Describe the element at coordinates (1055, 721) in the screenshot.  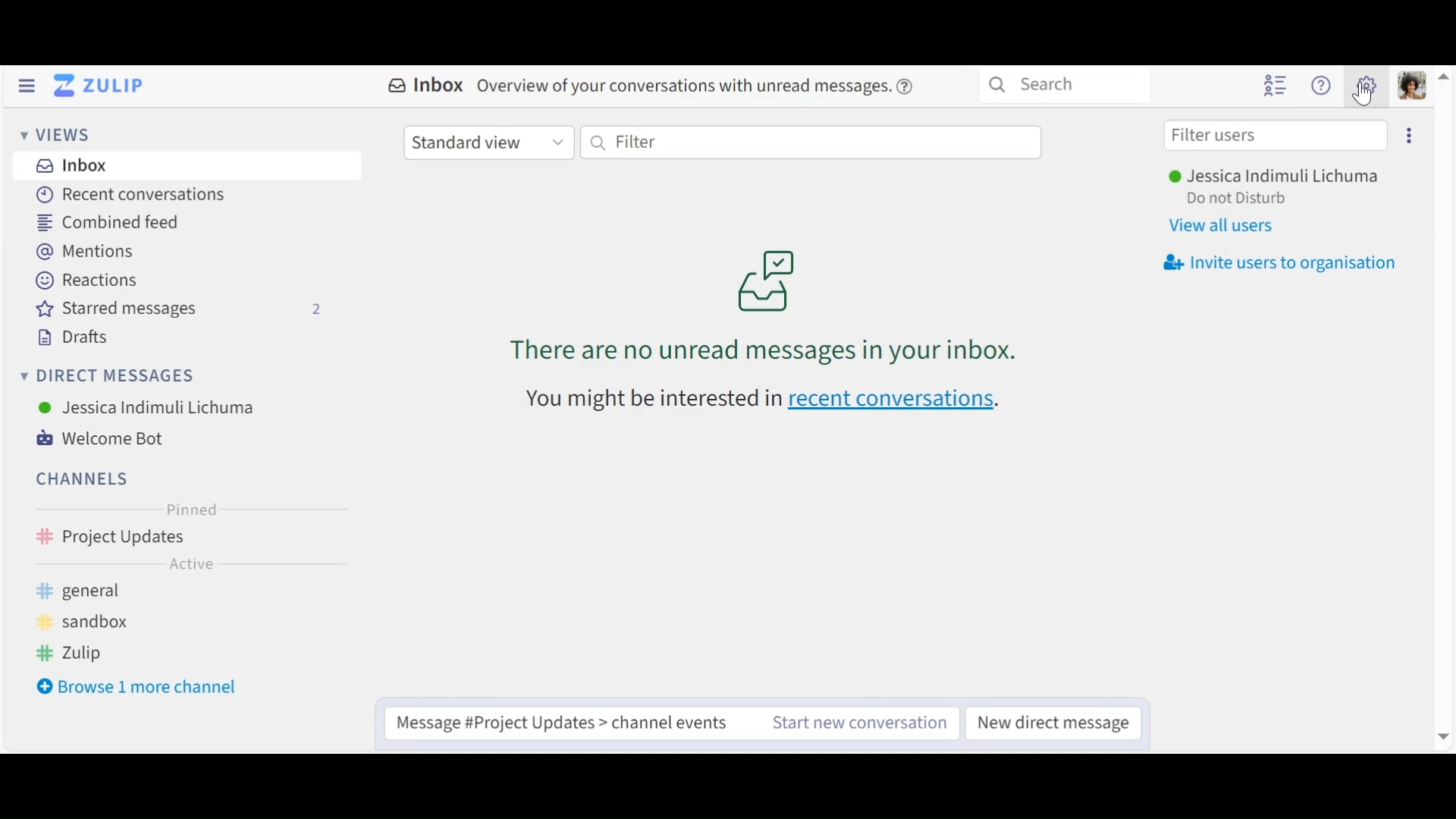
I see `New Direct Message` at that location.